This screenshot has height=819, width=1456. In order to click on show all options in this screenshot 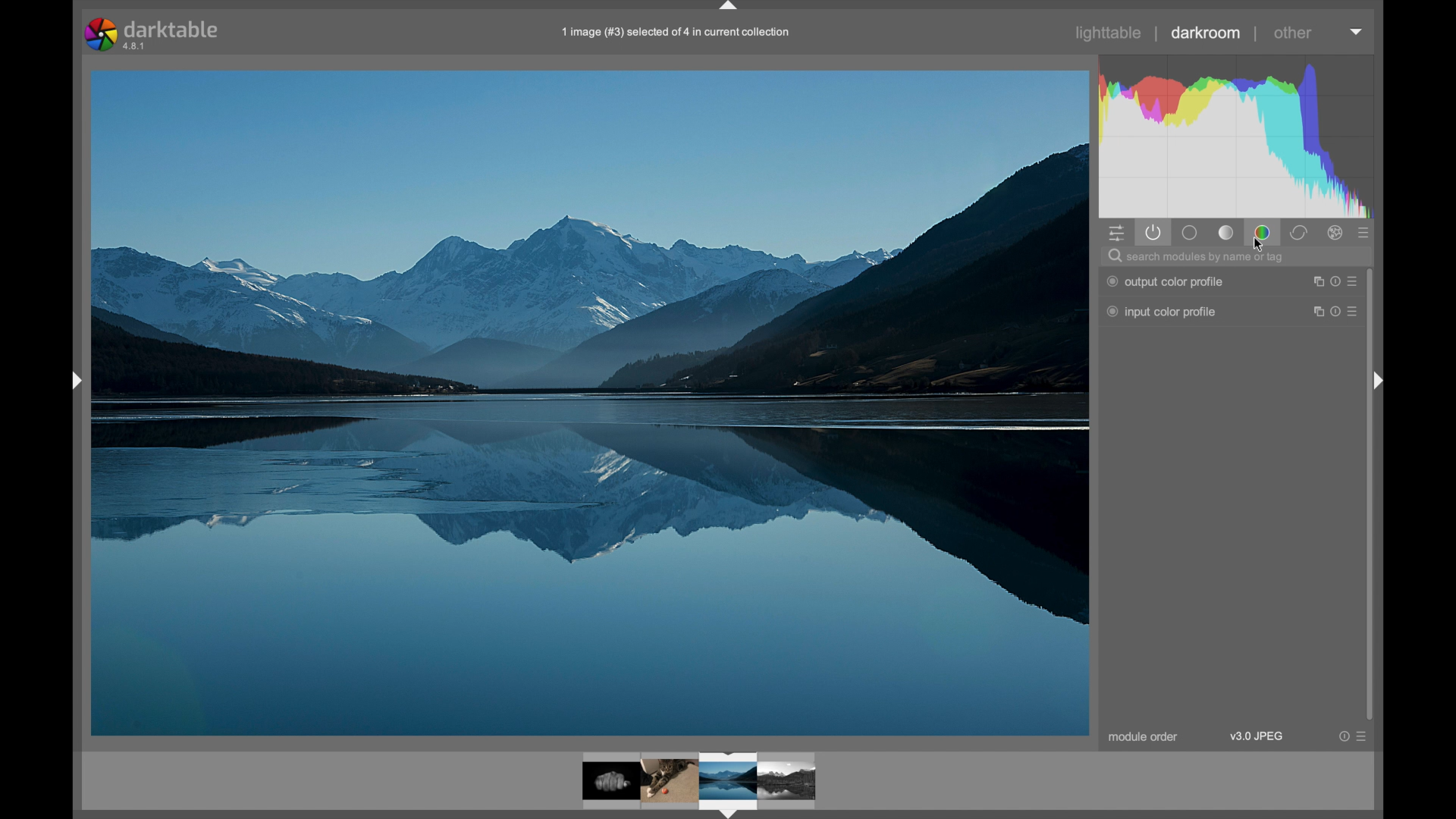, I will do `click(1365, 233)`.